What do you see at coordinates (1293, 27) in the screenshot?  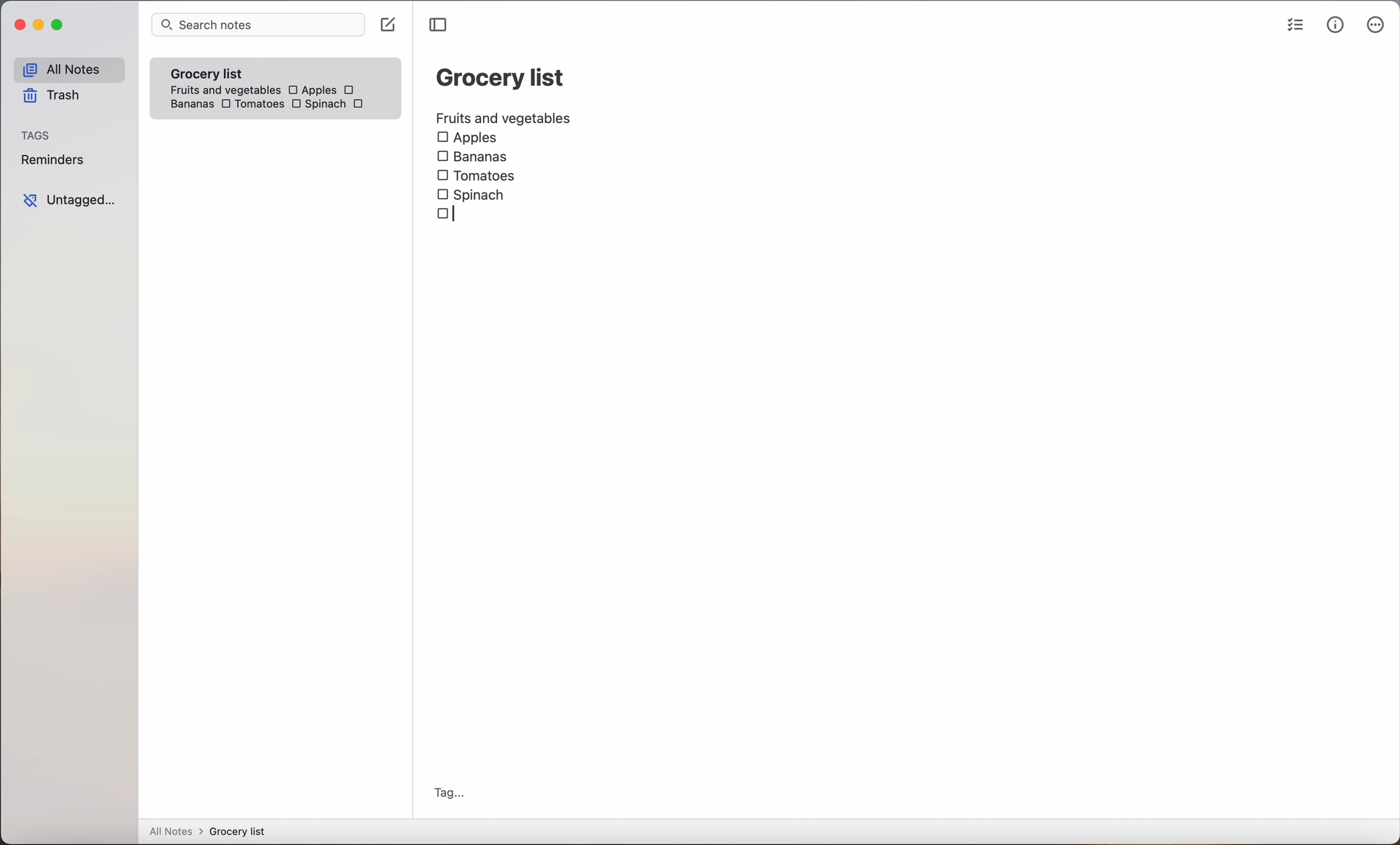 I see `checklist` at bounding box center [1293, 27].